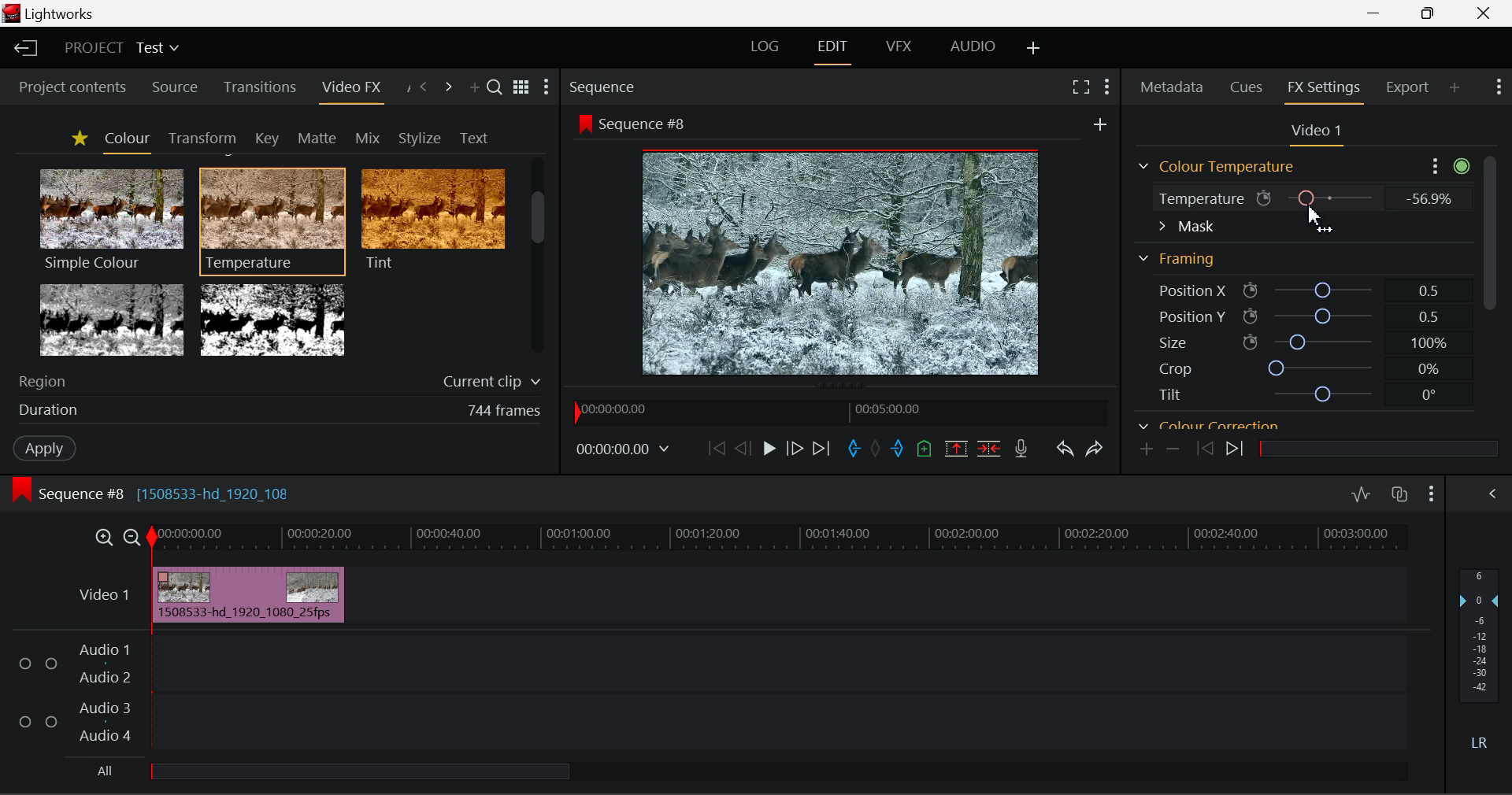 This screenshot has width=1512, height=795. Describe the element at coordinates (1484, 12) in the screenshot. I see `Close` at that location.